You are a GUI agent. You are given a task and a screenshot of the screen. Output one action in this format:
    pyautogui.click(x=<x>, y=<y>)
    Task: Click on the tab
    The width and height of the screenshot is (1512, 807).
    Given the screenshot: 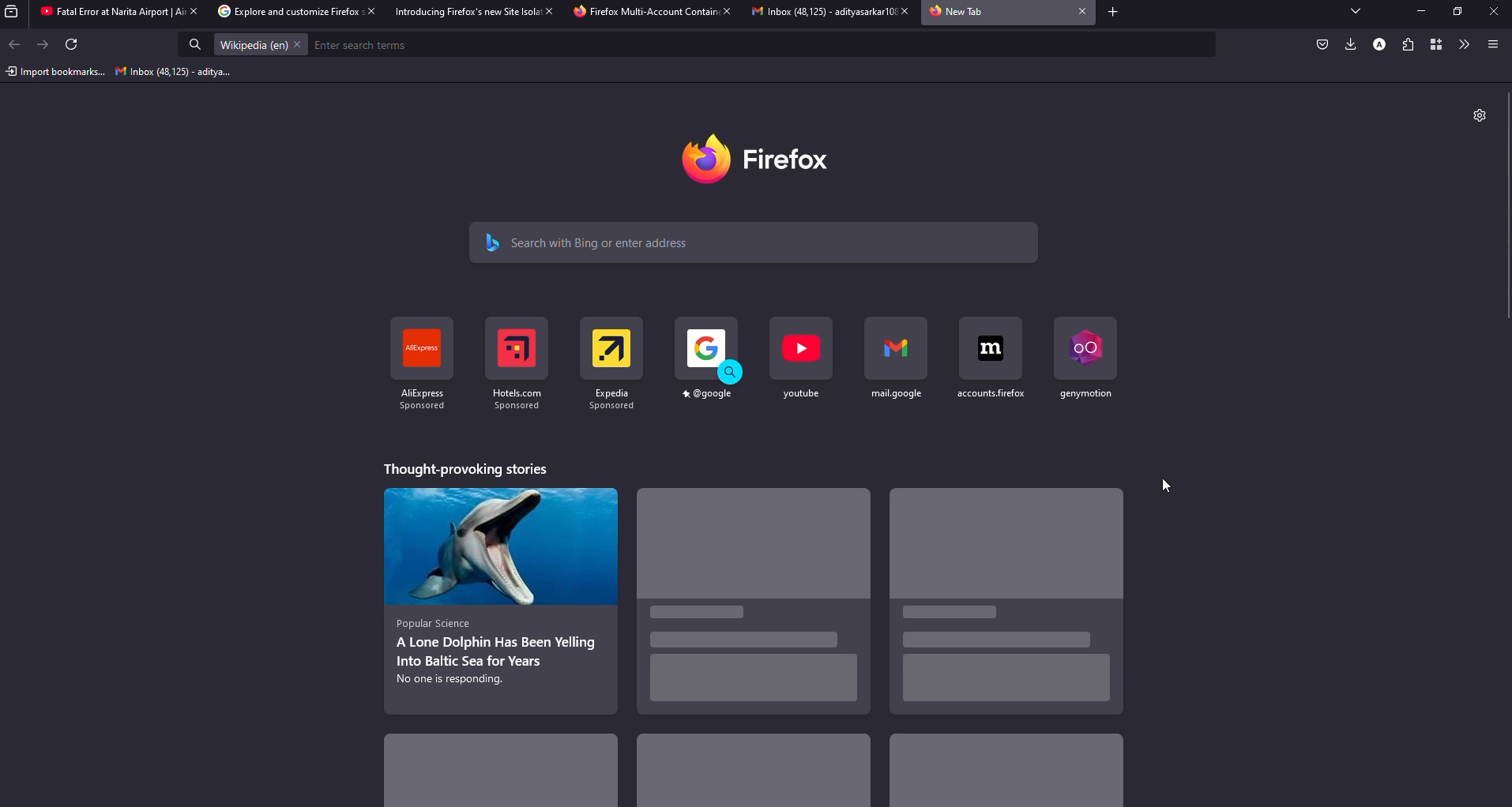 What is the action you would take?
    pyautogui.click(x=959, y=13)
    